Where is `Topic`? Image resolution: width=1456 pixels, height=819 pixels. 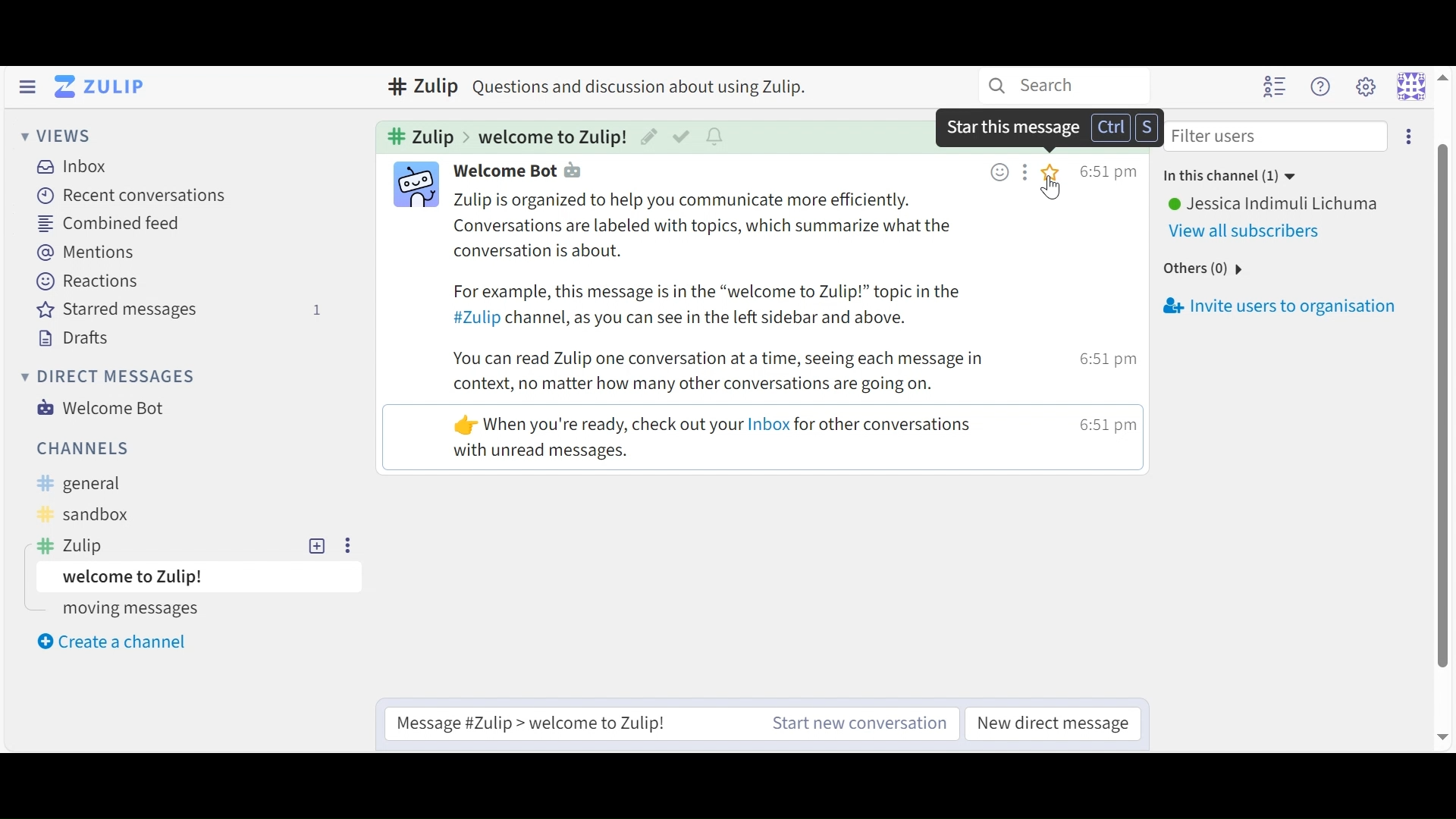
Topic is located at coordinates (553, 136).